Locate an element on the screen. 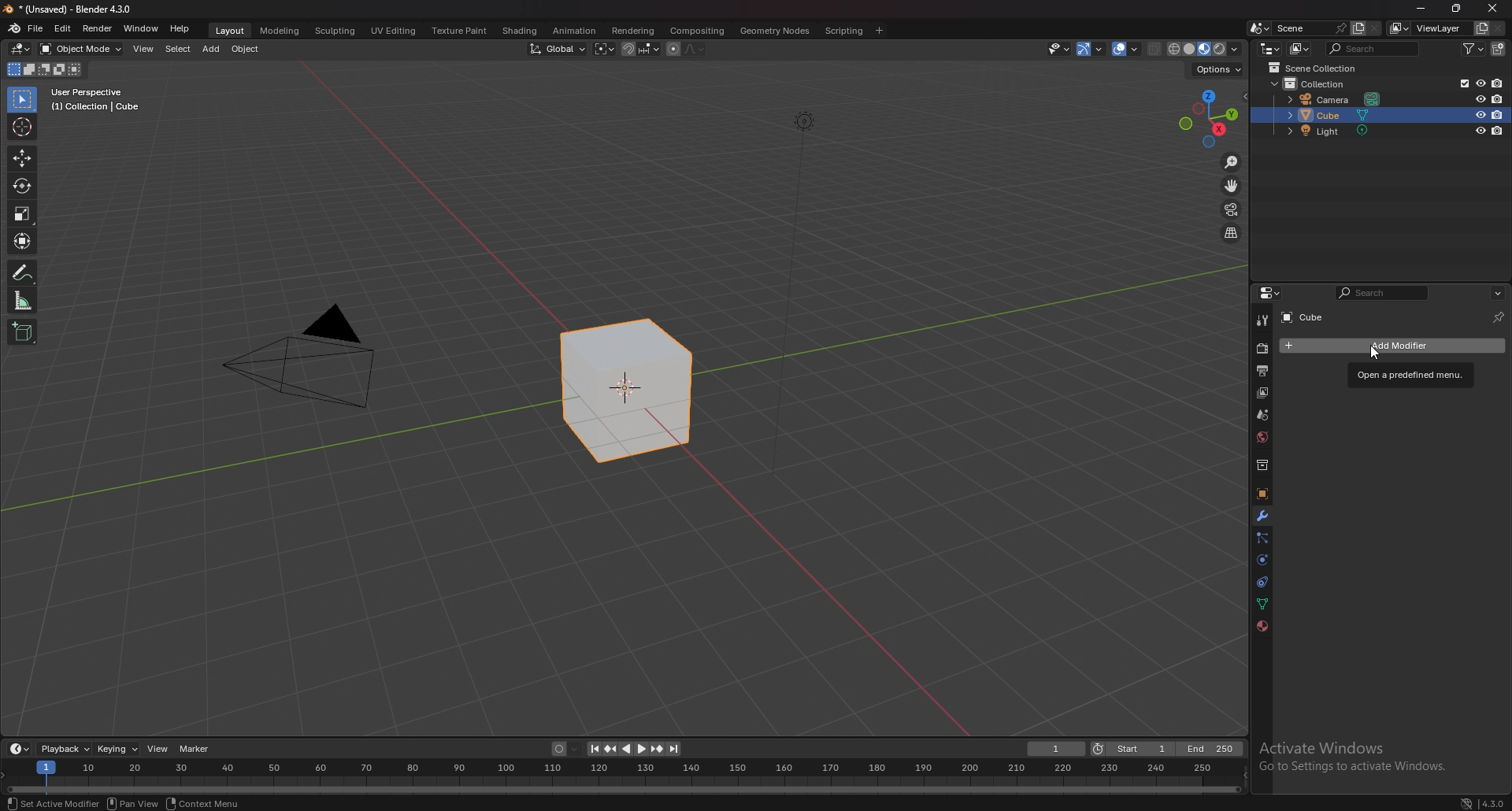 This screenshot has width=1512, height=811. scene is located at coordinates (1262, 413).